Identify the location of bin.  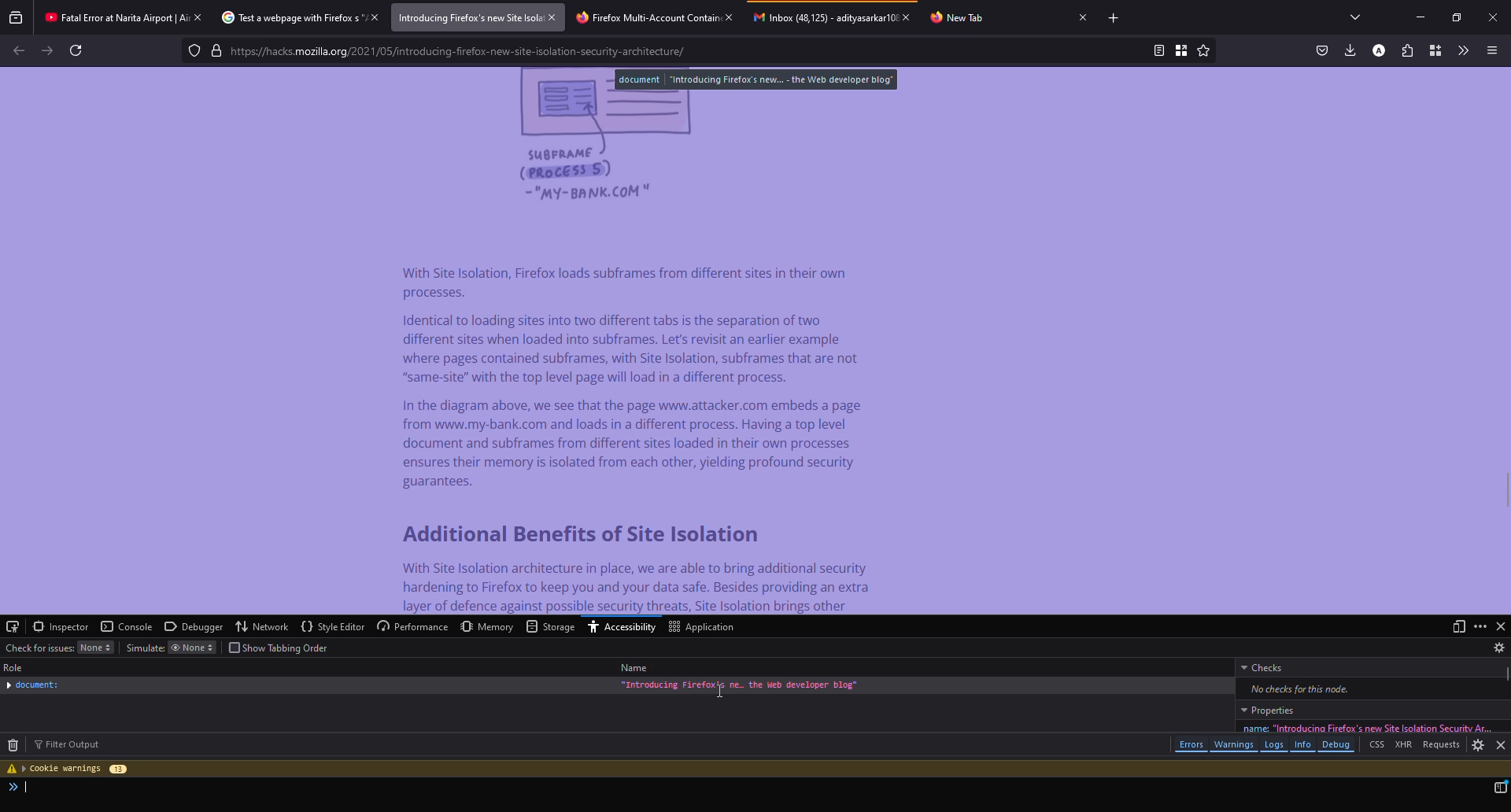
(13, 745).